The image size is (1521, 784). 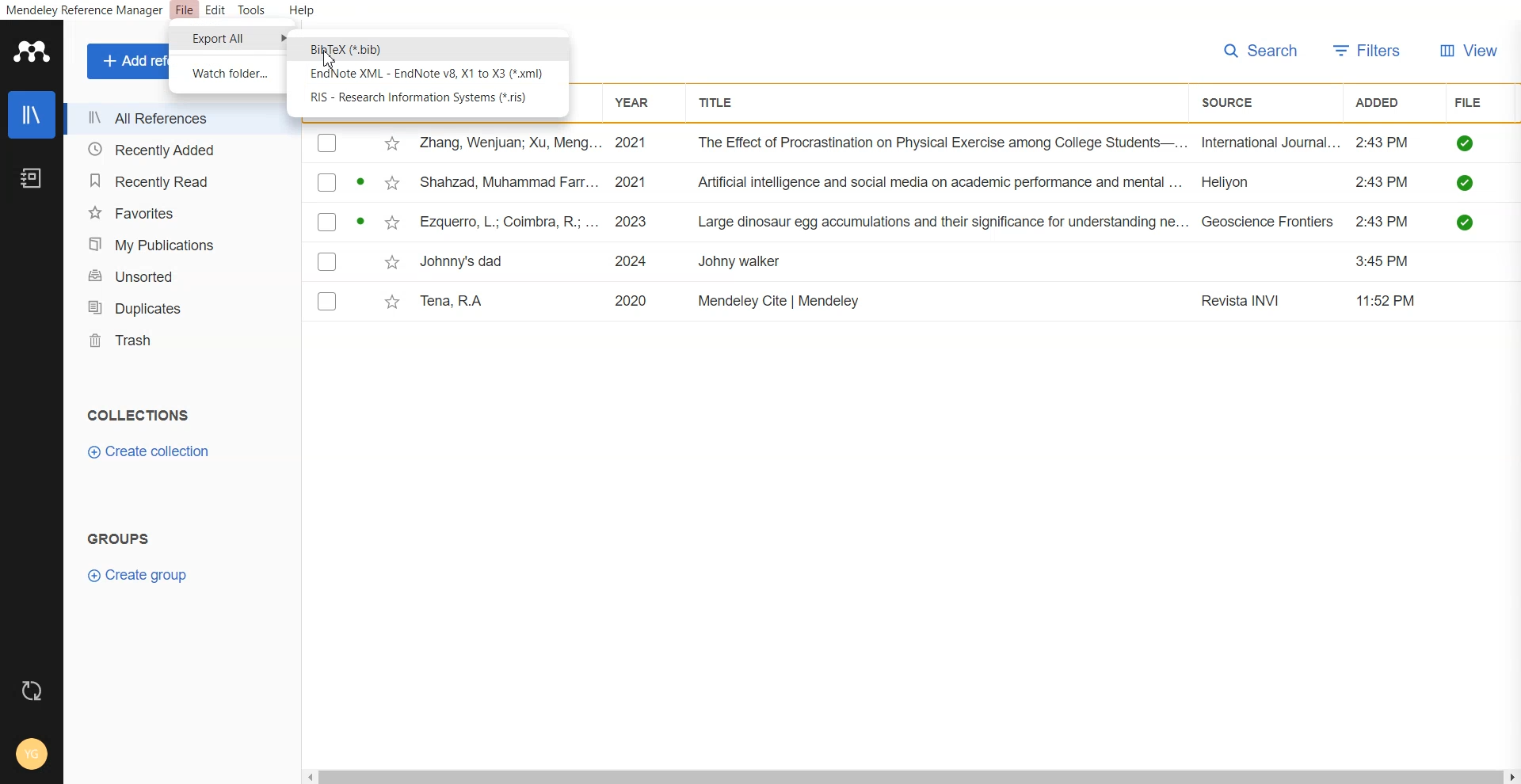 What do you see at coordinates (638, 103) in the screenshot?
I see `Year` at bounding box center [638, 103].